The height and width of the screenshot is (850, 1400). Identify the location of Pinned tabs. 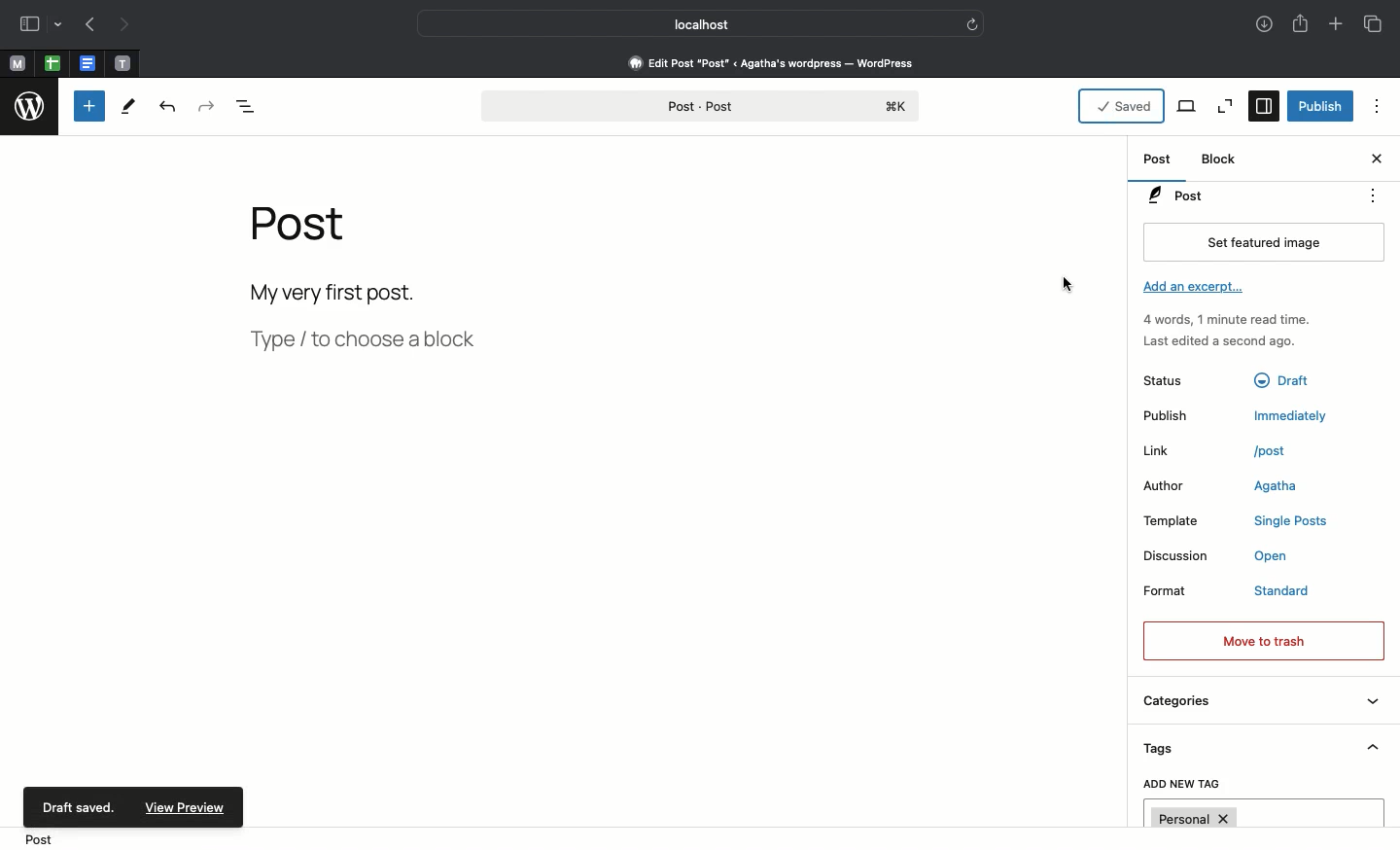
(51, 62).